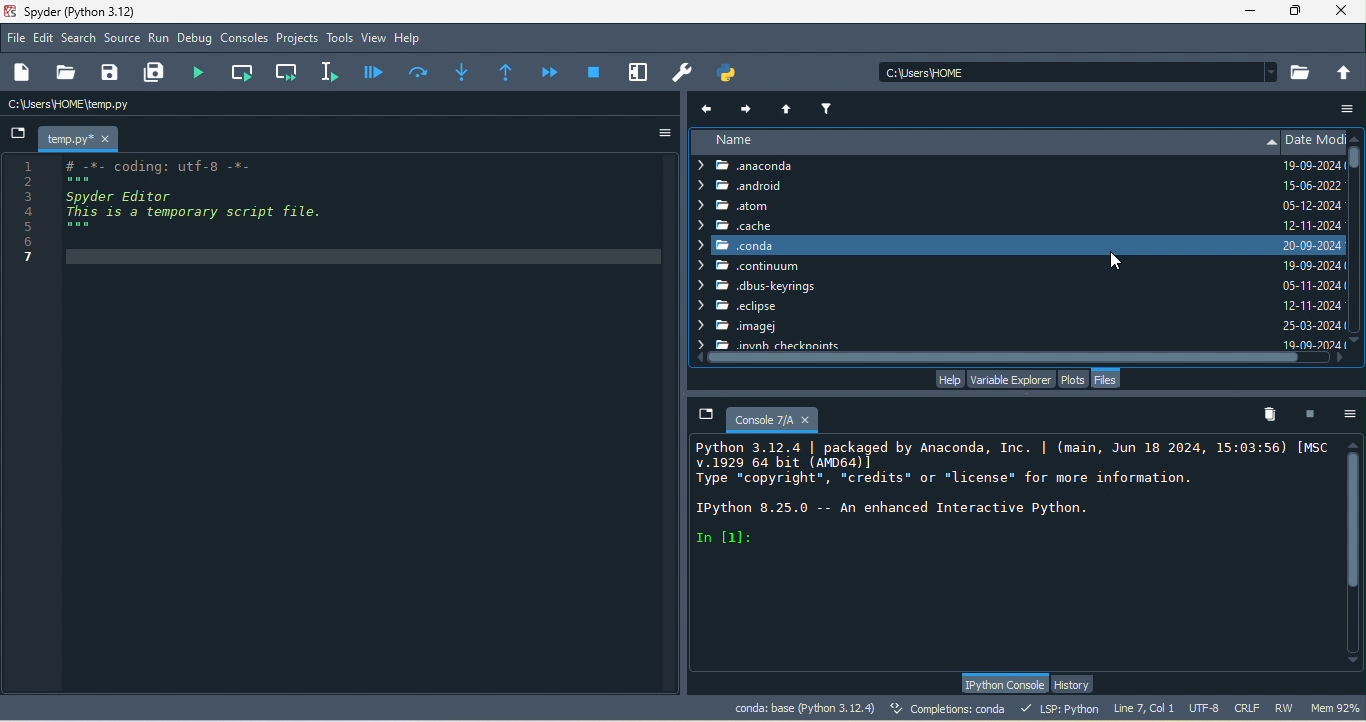 Image resolution: width=1366 pixels, height=722 pixels. I want to click on android, so click(753, 187).